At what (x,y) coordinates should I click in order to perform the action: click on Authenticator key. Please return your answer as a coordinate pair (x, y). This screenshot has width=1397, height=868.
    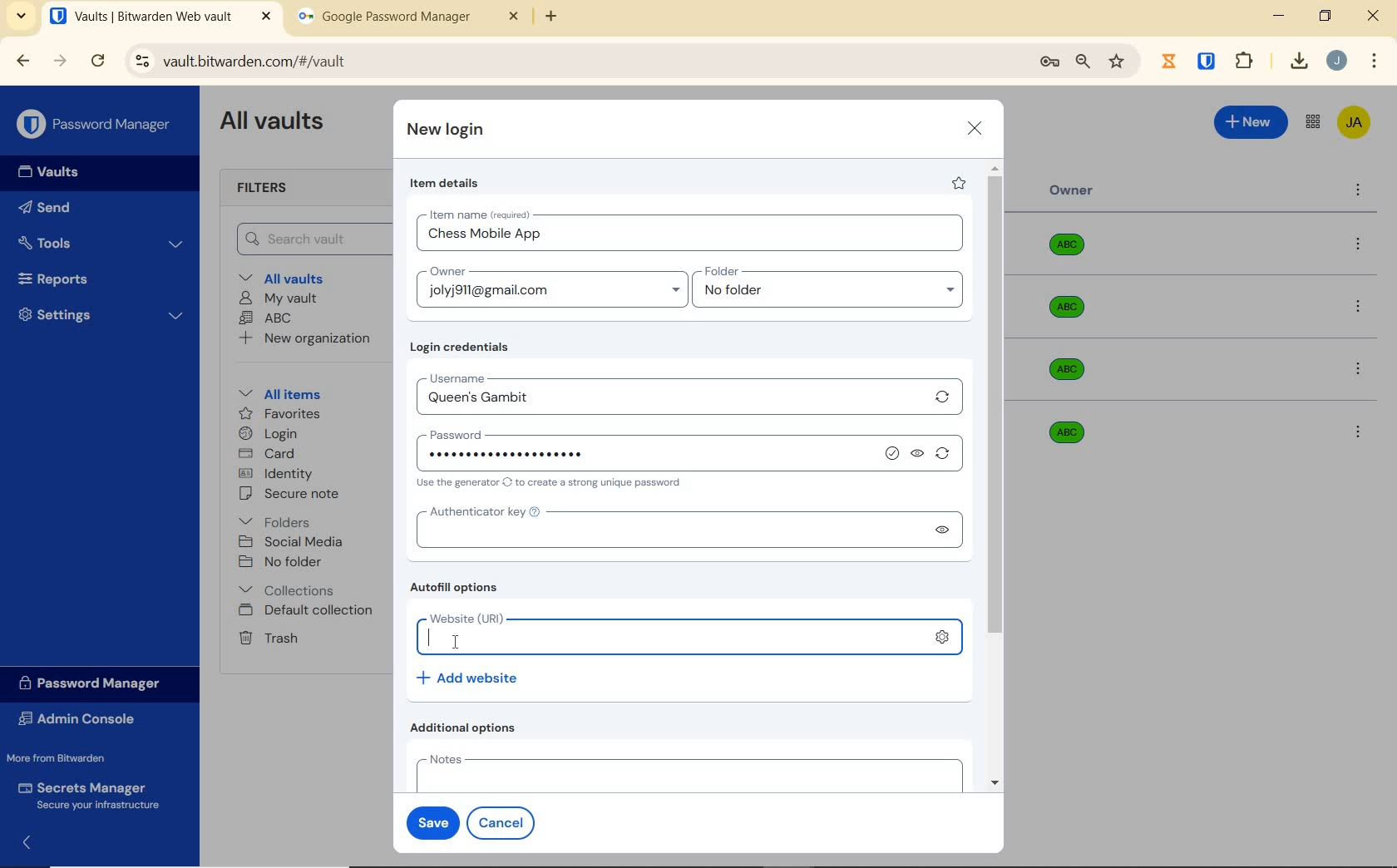
    Looking at the image, I should click on (664, 530).